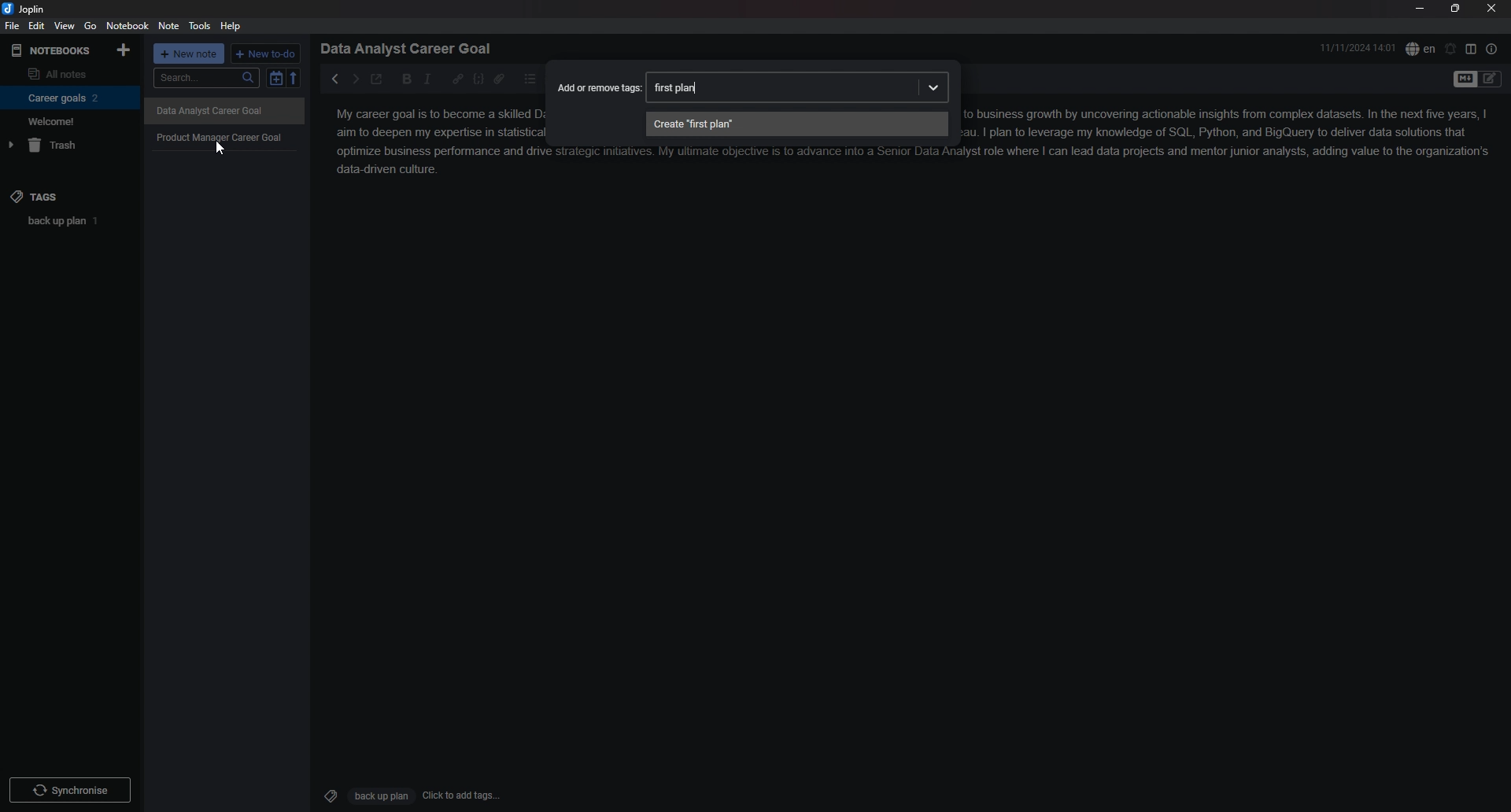 This screenshot has width=1511, height=812. What do you see at coordinates (221, 150) in the screenshot?
I see `Cursor` at bounding box center [221, 150].